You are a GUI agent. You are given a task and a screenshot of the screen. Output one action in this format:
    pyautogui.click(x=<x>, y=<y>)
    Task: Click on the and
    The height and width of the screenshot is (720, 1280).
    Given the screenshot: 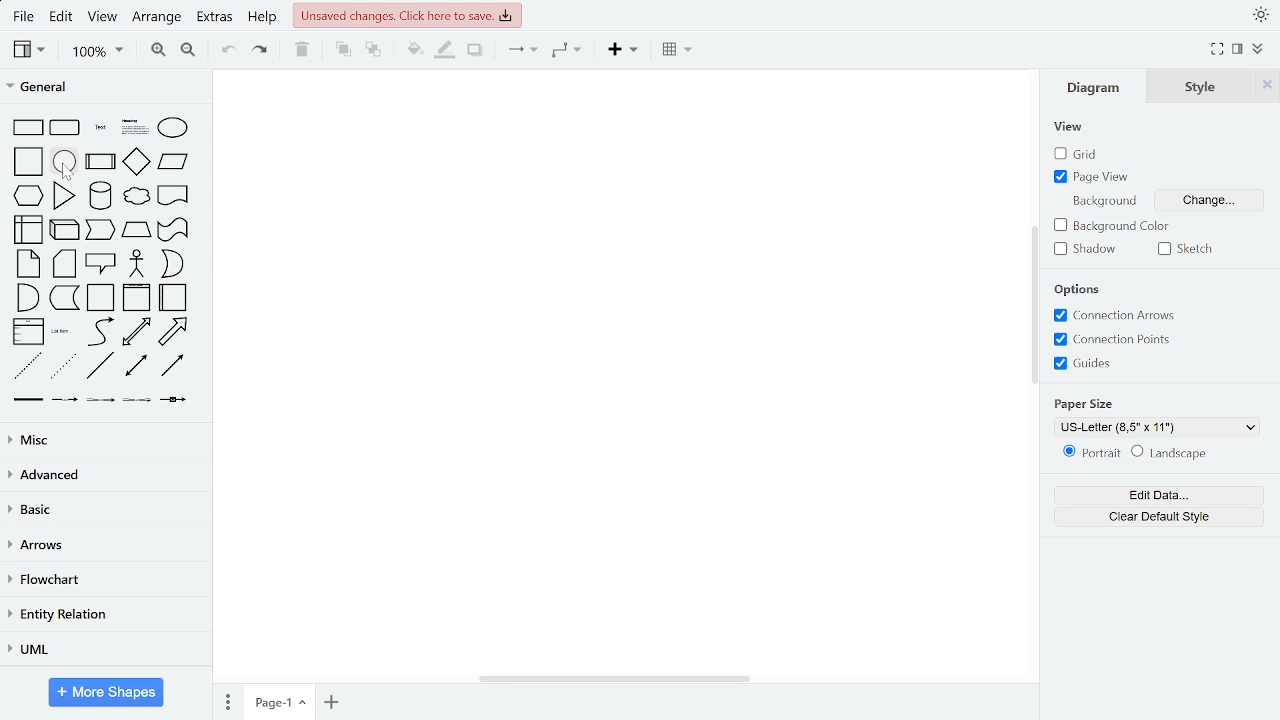 What is the action you would take?
    pyautogui.click(x=27, y=297)
    